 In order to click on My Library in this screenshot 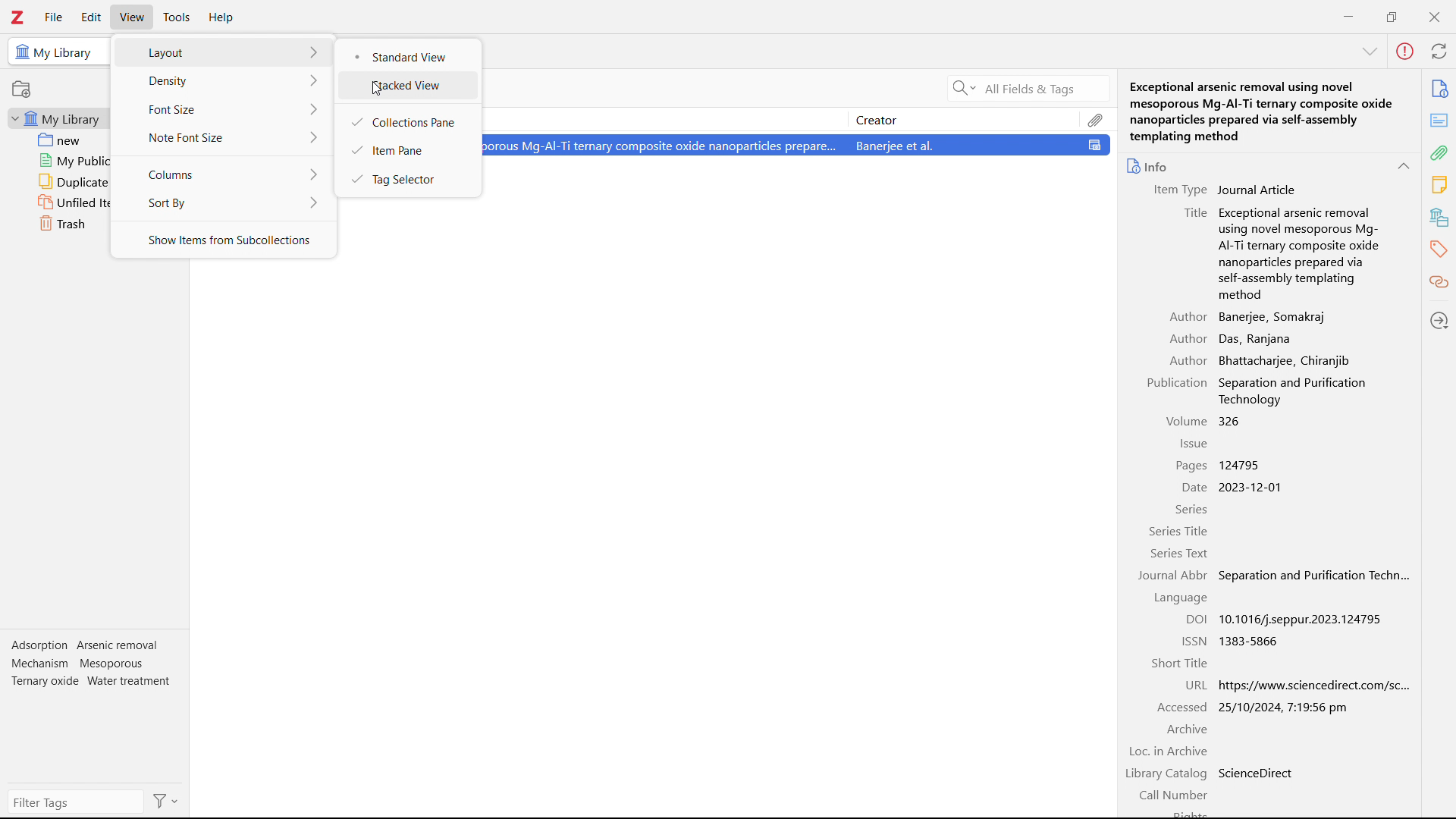, I will do `click(55, 52)`.